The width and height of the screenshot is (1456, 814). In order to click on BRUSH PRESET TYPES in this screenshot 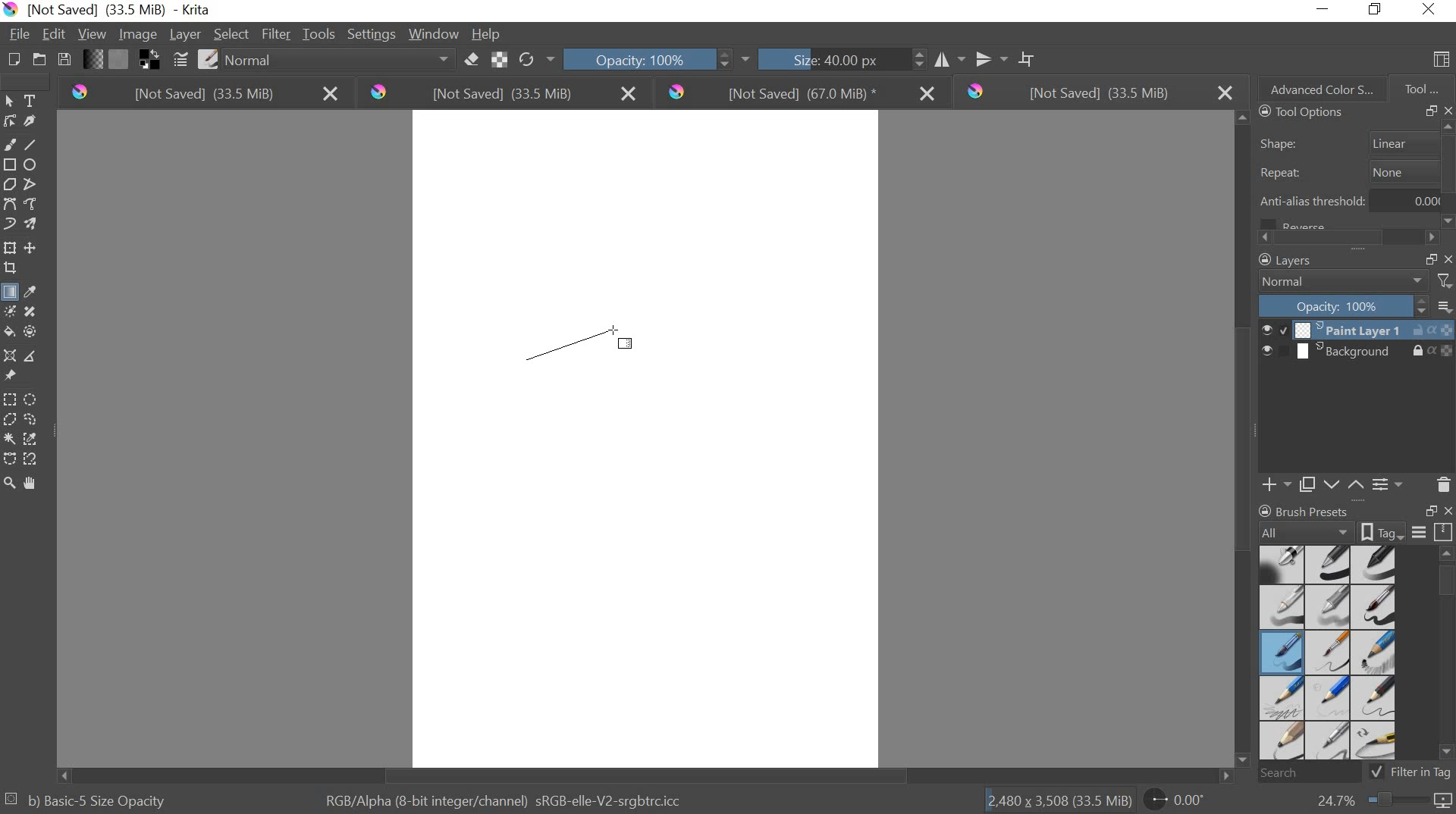, I will do `click(1332, 653)`.